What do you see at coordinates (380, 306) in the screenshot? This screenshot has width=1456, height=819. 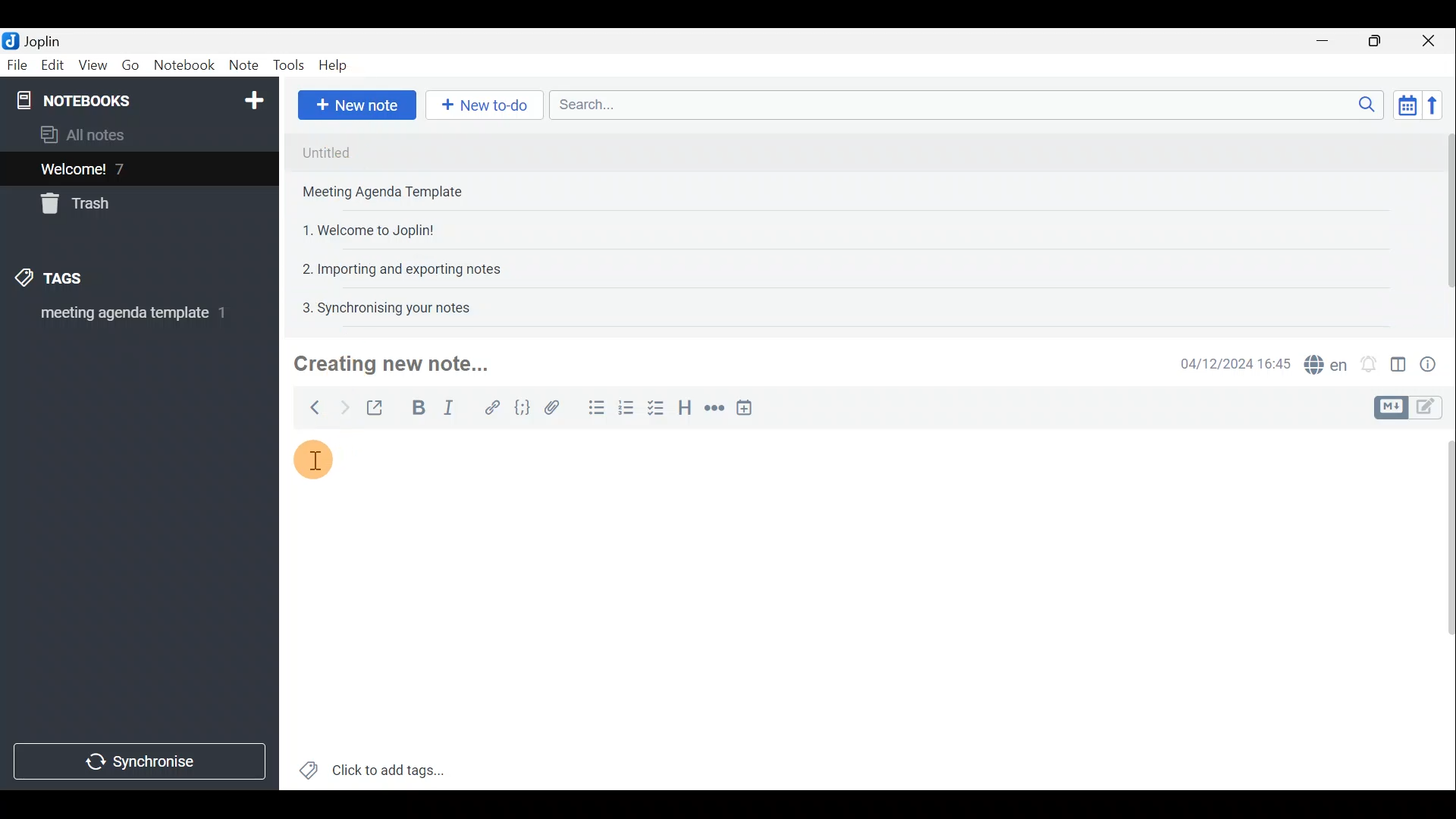 I see `Note 5` at bounding box center [380, 306].